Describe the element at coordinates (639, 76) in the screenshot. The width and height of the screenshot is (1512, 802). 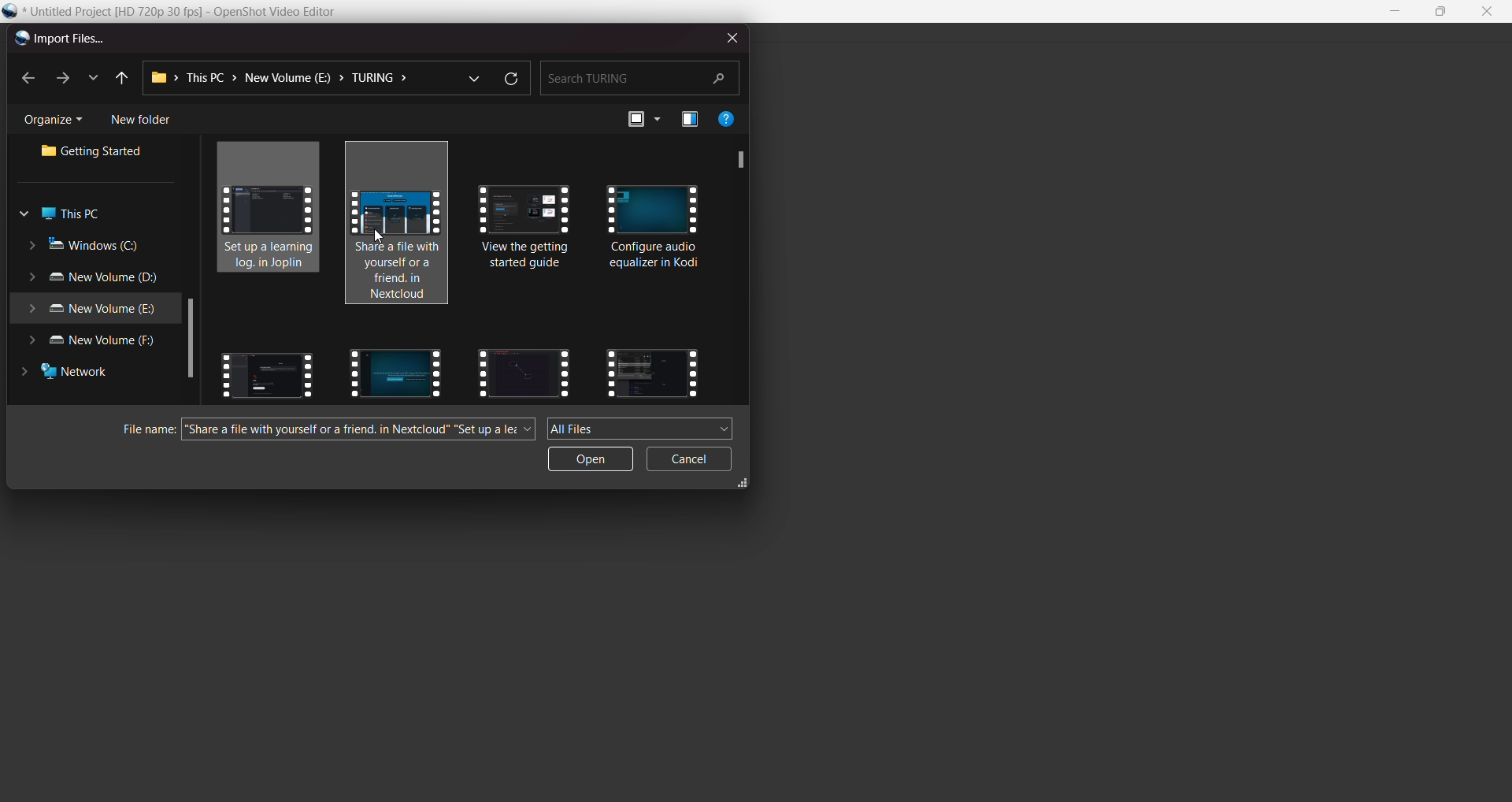
I see `search` at that location.